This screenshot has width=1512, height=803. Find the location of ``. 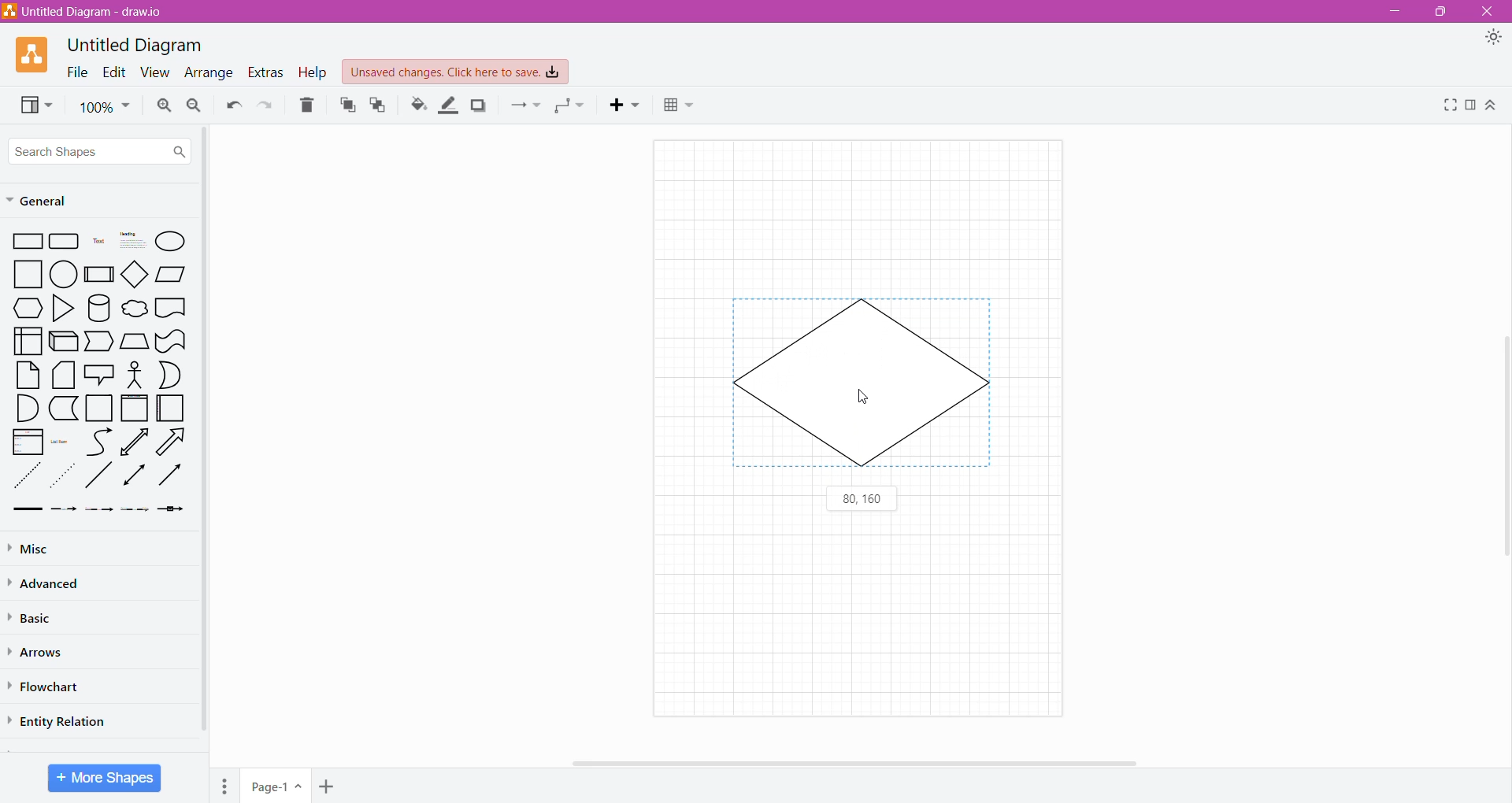

 is located at coordinates (227, 783).